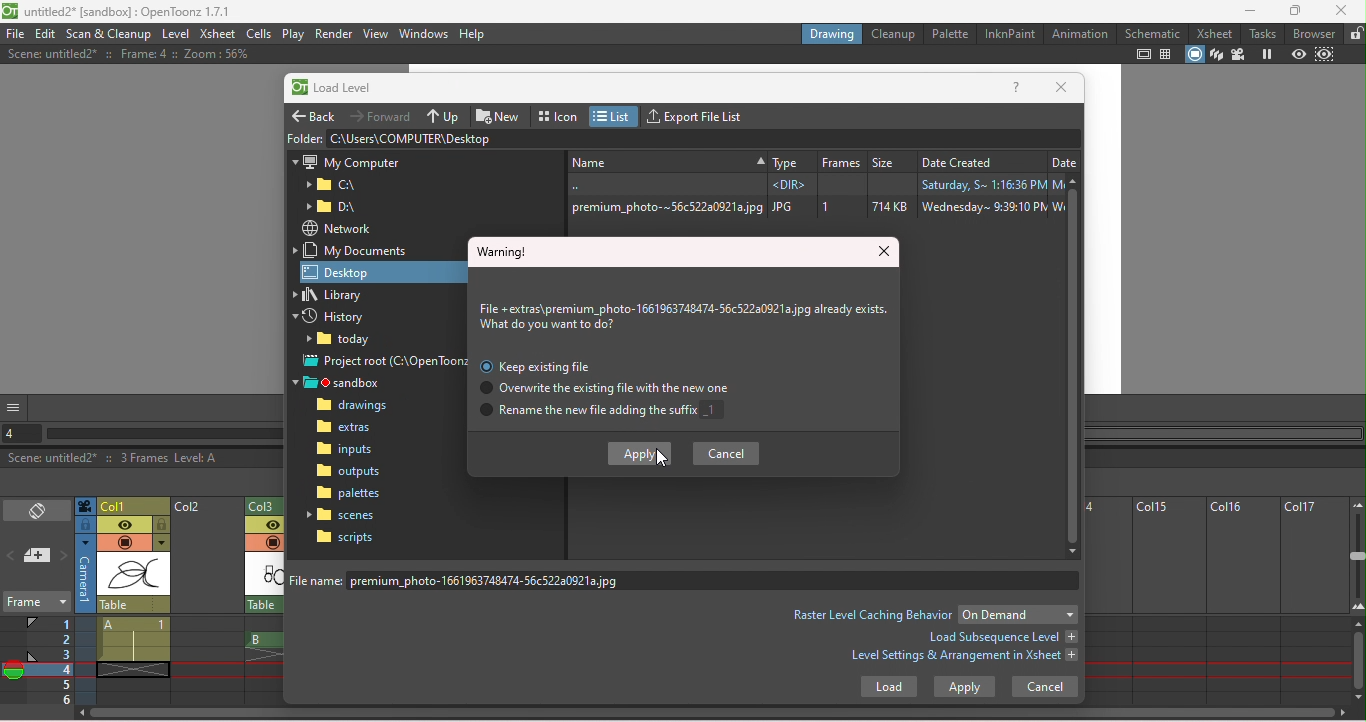 The width and height of the screenshot is (1366, 722). What do you see at coordinates (1341, 10) in the screenshot?
I see `Close` at bounding box center [1341, 10].